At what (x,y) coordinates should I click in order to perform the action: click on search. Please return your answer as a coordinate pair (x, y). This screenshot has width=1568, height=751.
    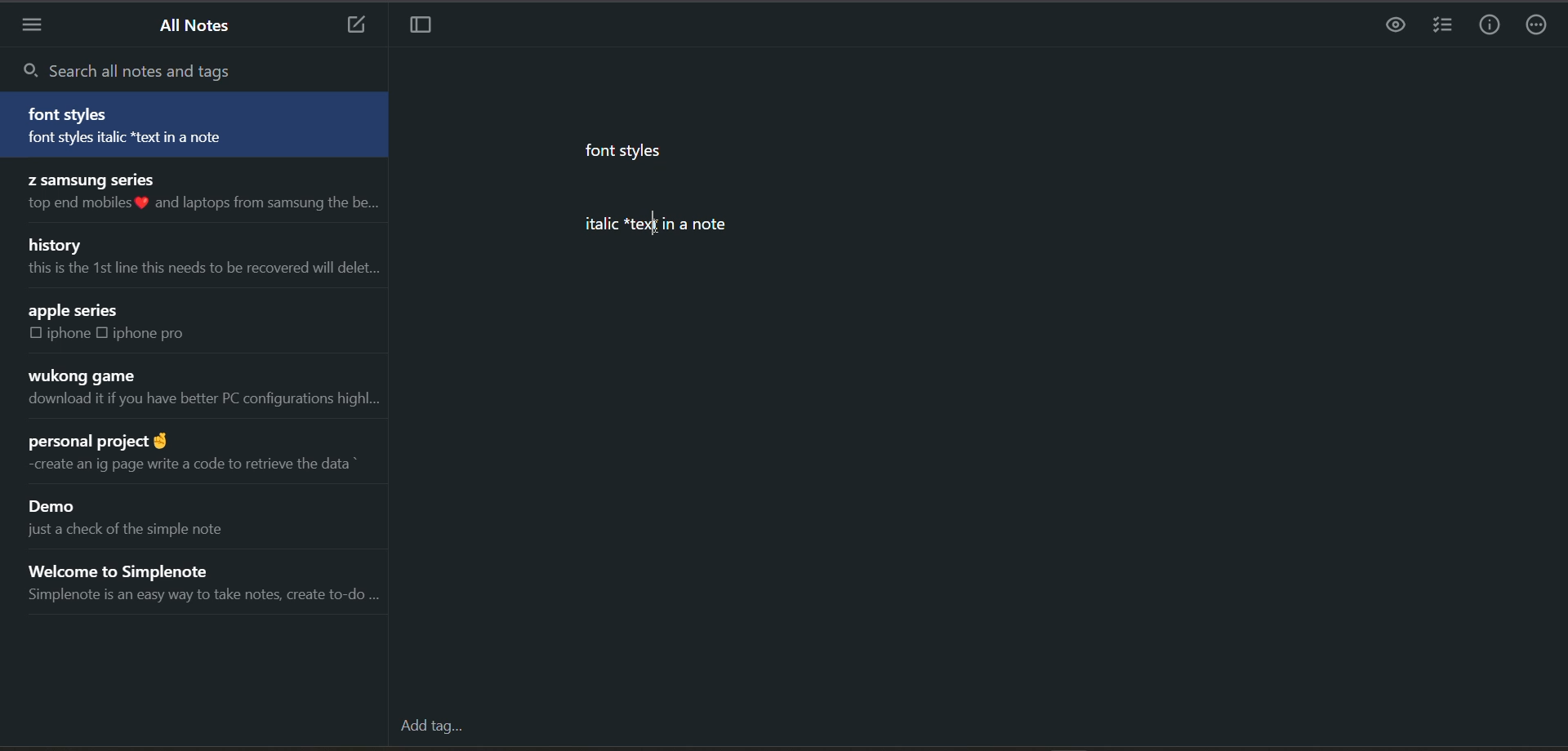
    Looking at the image, I should click on (152, 68).